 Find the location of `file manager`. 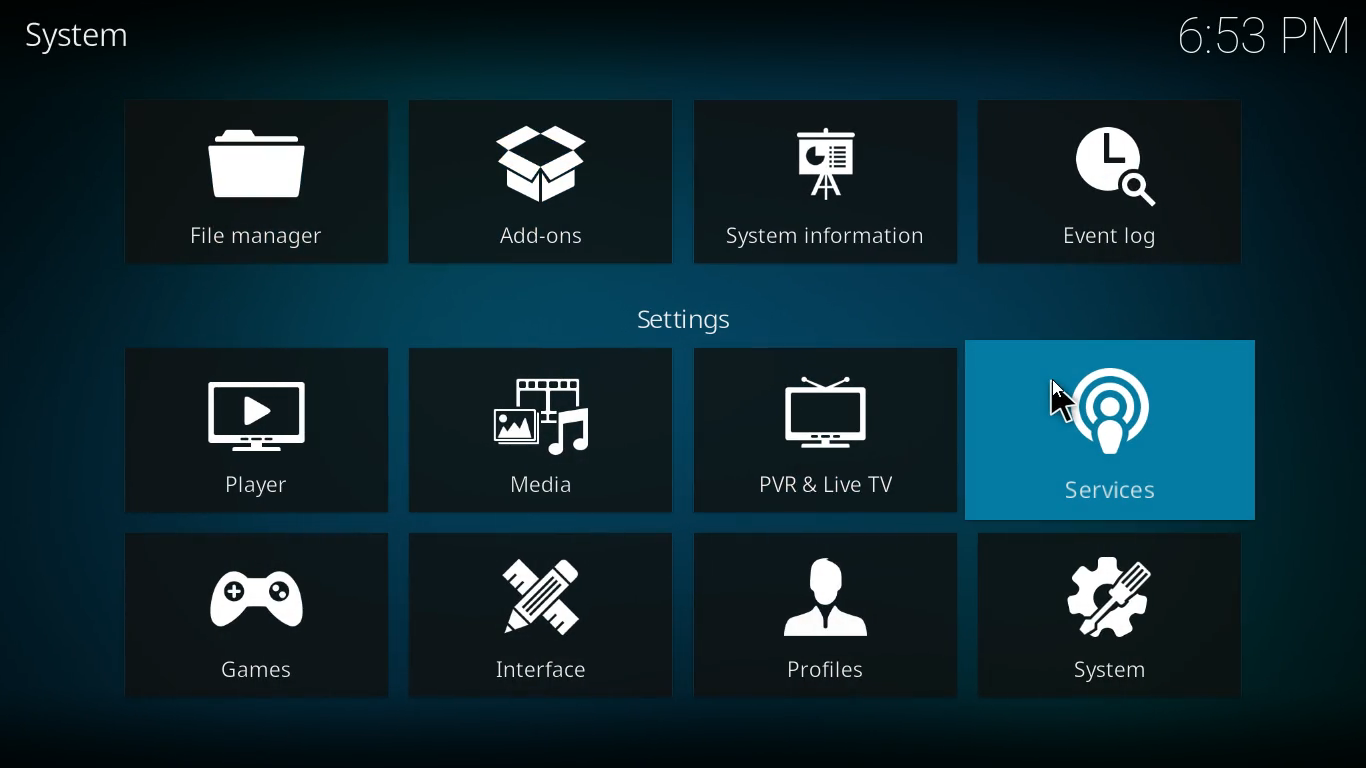

file manager is located at coordinates (252, 185).